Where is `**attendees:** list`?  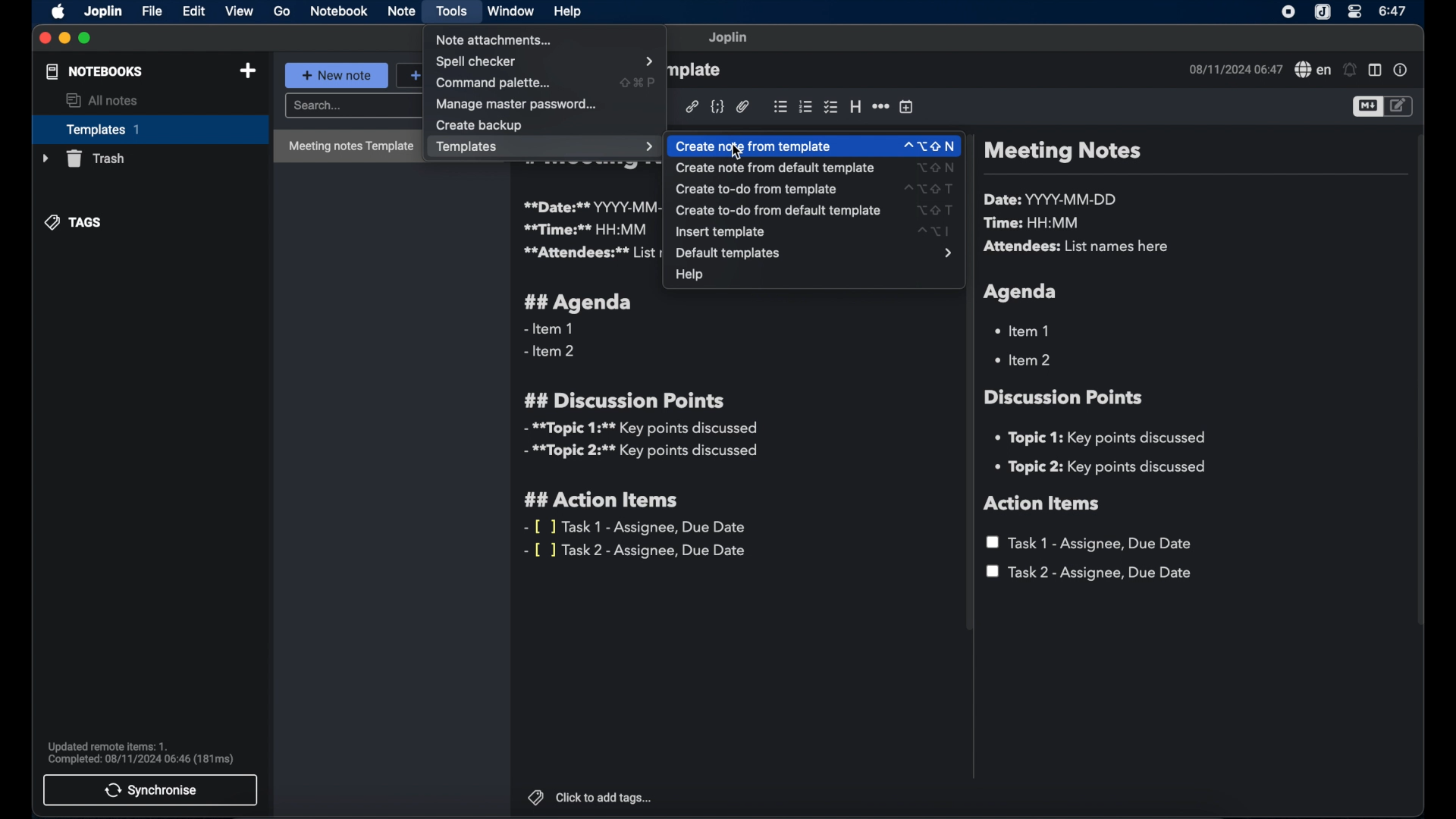
**attendees:** list is located at coordinates (591, 253).